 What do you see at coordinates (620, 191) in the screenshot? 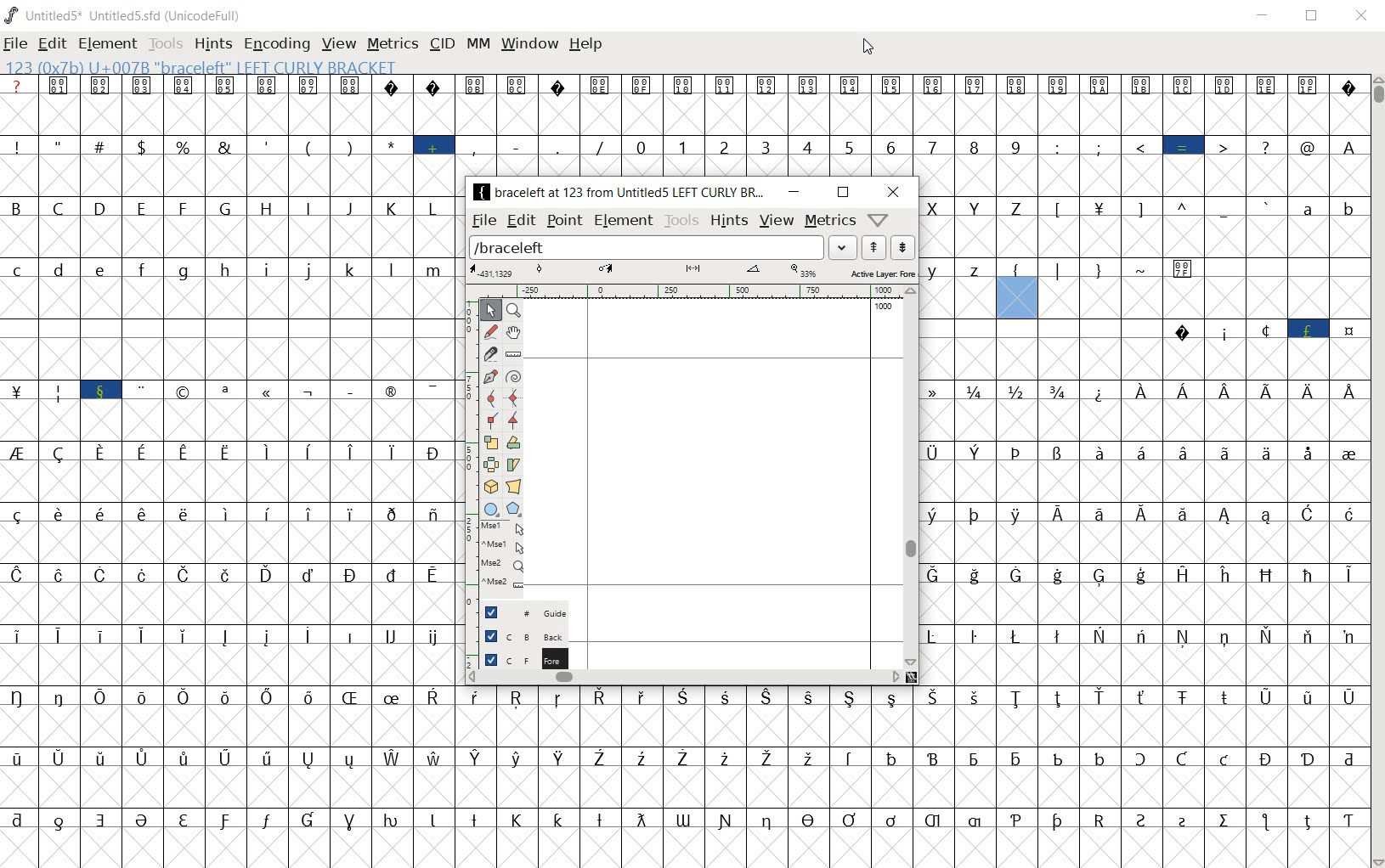
I see `braceleft at 123 from Untitled5 LEFT CURLY BR...` at bounding box center [620, 191].